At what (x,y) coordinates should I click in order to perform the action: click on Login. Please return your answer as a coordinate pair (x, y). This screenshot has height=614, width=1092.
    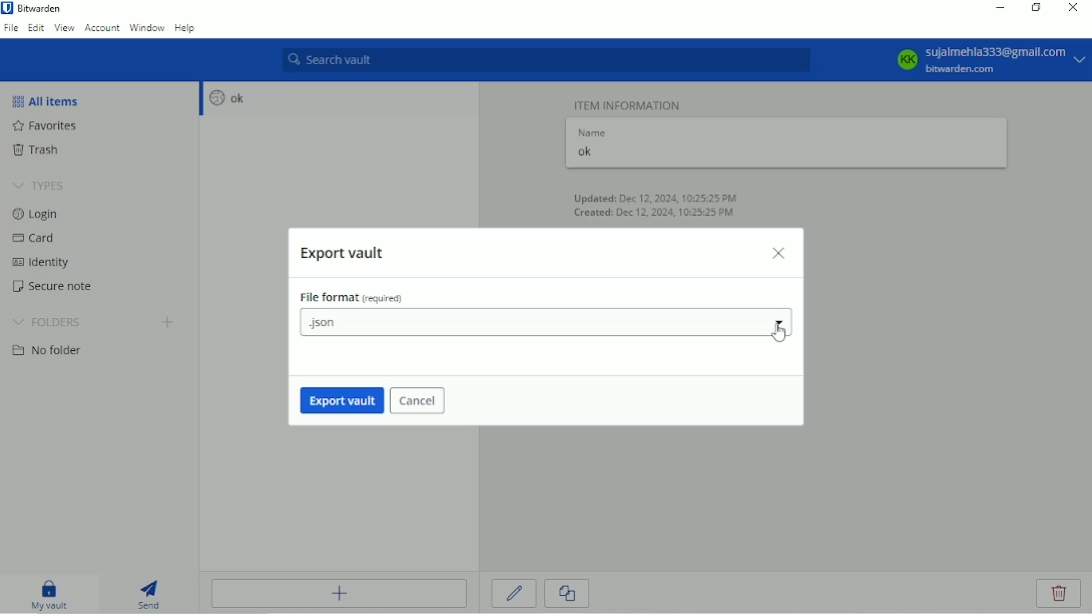
    Looking at the image, I should click on (36, 214).